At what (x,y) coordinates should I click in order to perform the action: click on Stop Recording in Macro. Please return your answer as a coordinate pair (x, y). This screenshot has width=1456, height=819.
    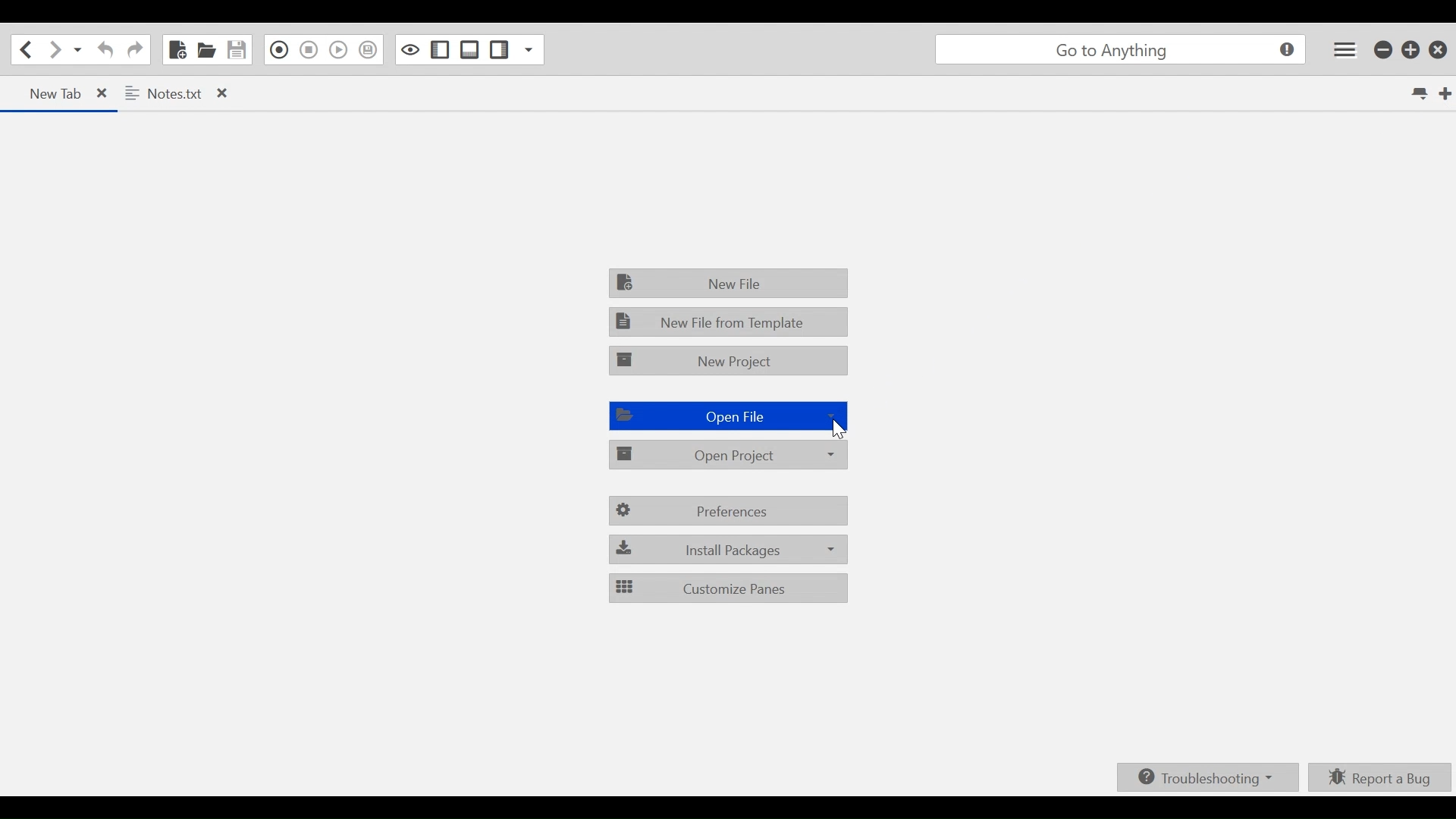
    Looking at the image, I should click on (308, 52).